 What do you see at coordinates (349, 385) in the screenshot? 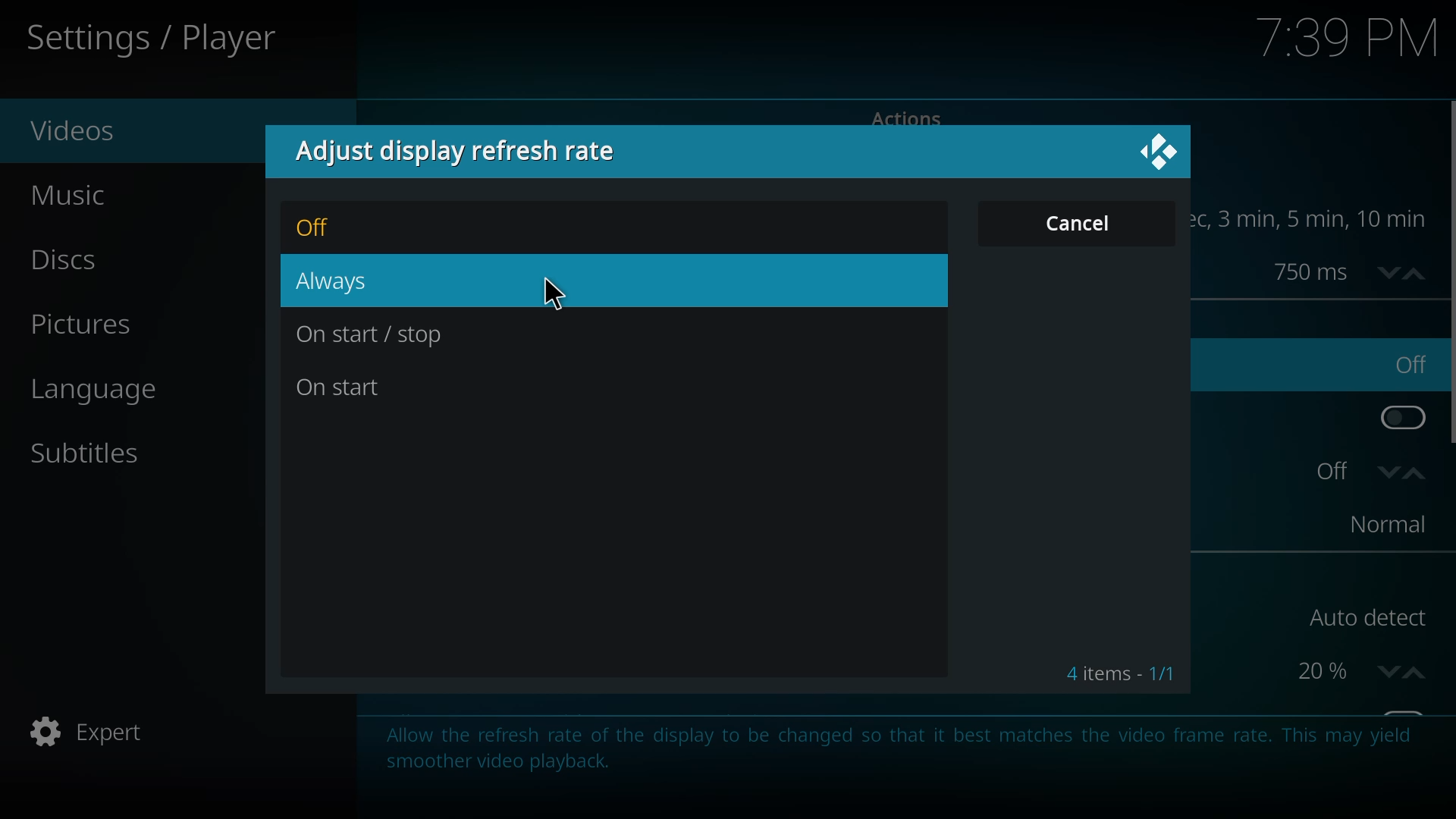
I see `on start` at bounding box center [349, 385].